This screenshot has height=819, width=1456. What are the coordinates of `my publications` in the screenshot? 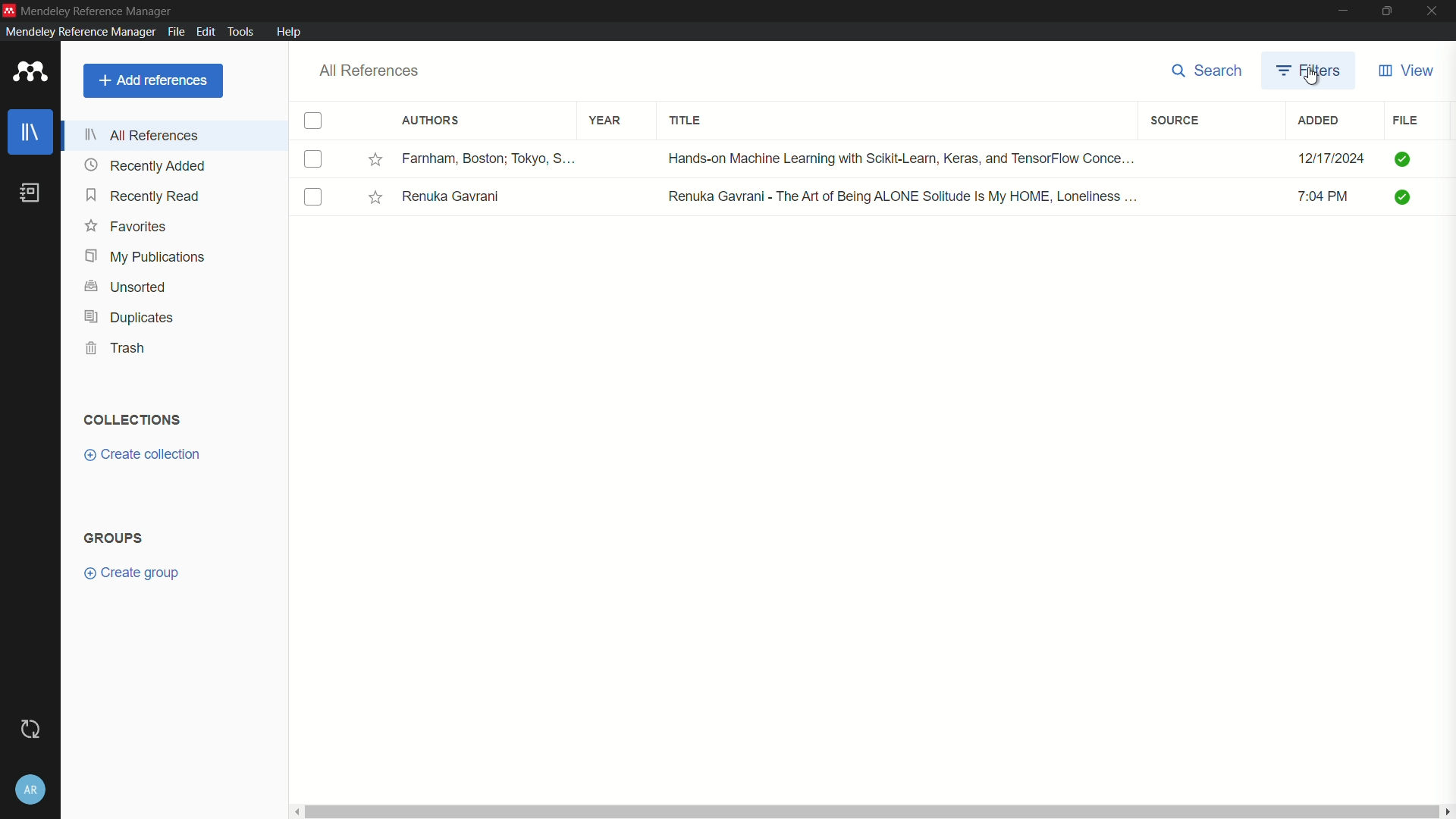 It's located at (146, 257).